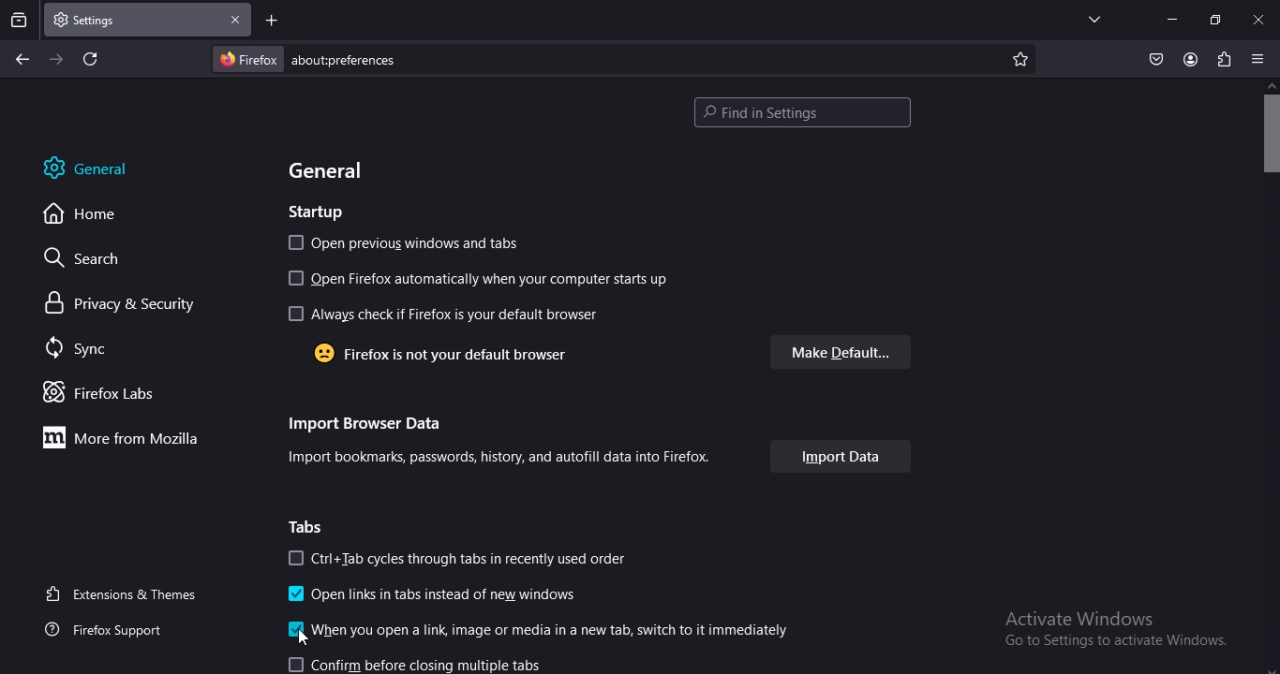 The image size is (1280, 674). Describe the element at coordinates (1258, 18) in the screenshot. I see `close` at that location.